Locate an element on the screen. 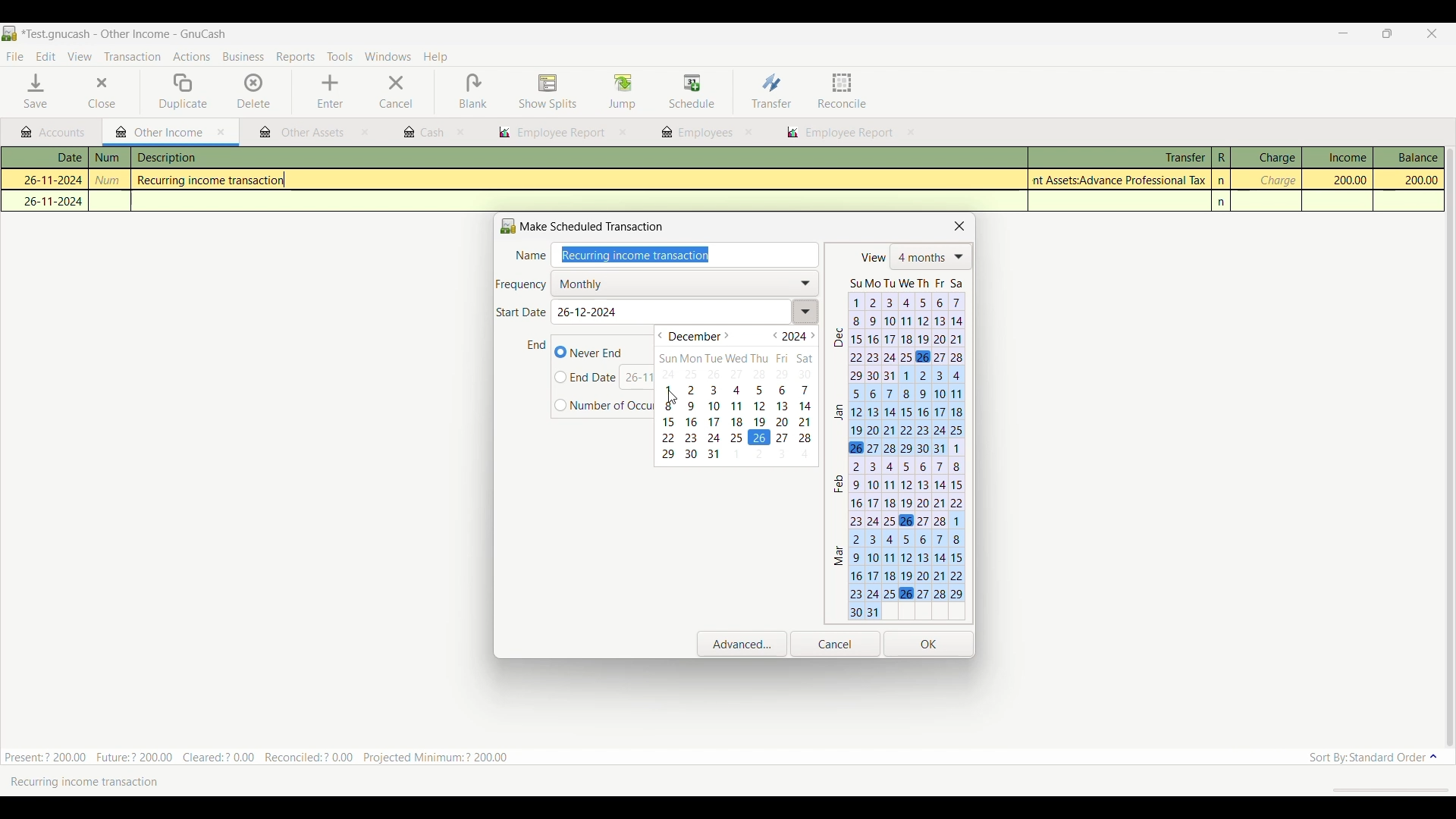 The width and height of the screenshot is (1456, 819). num is located at coordinates (111, 180).